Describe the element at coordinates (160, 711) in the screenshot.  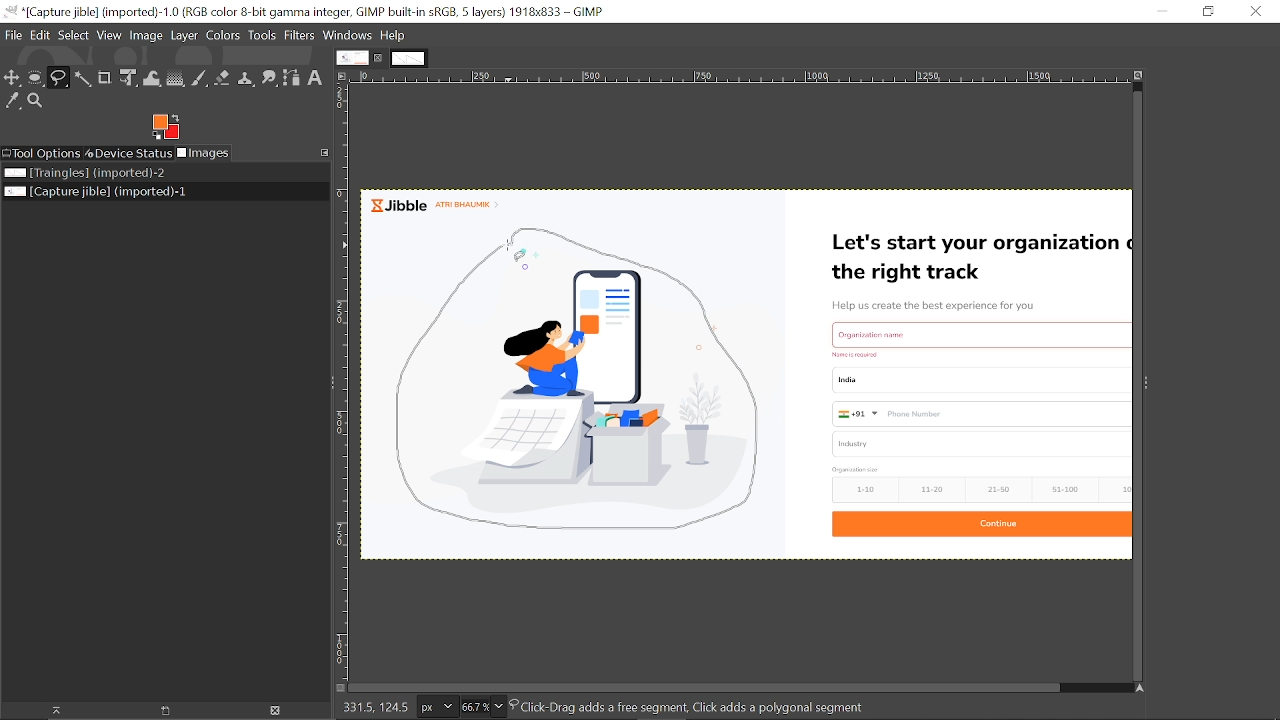
I see `open new display for the image` at that location.